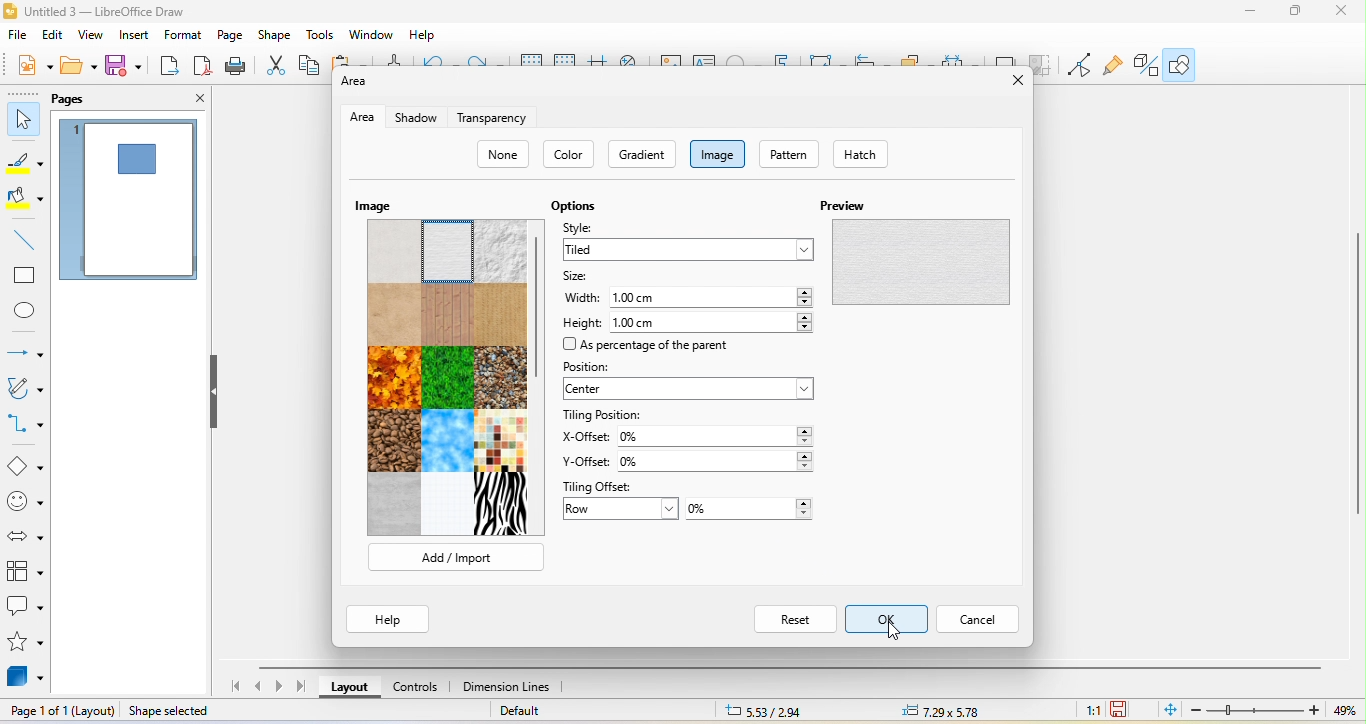 Image resolution: width=1366 pixels, height=724 pixels. Describe the element at coordinates (1043, 66) in the screenshot. I see `crop image` at that location.